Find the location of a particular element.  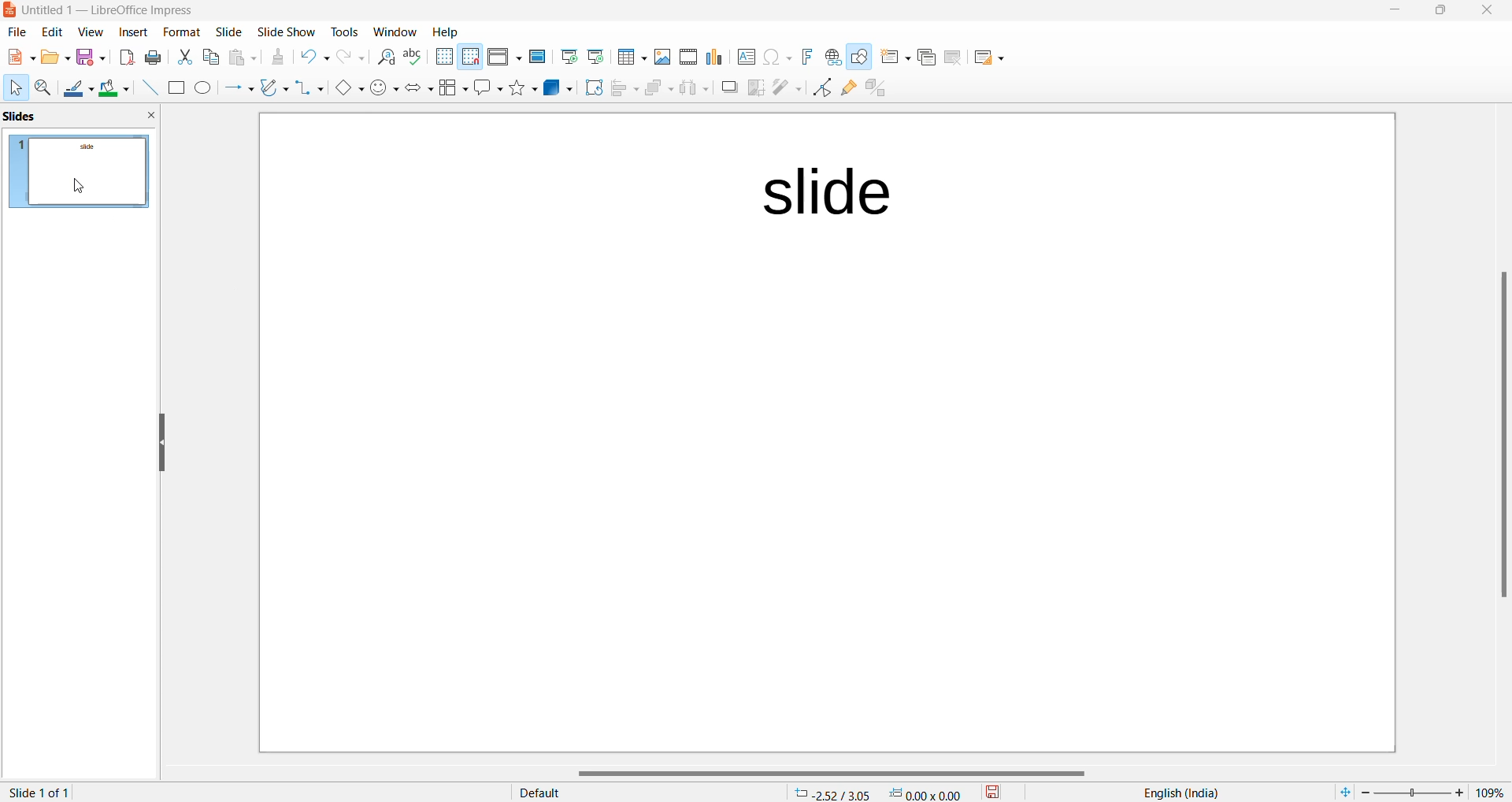

connectors is located at coordinates (310, 89).